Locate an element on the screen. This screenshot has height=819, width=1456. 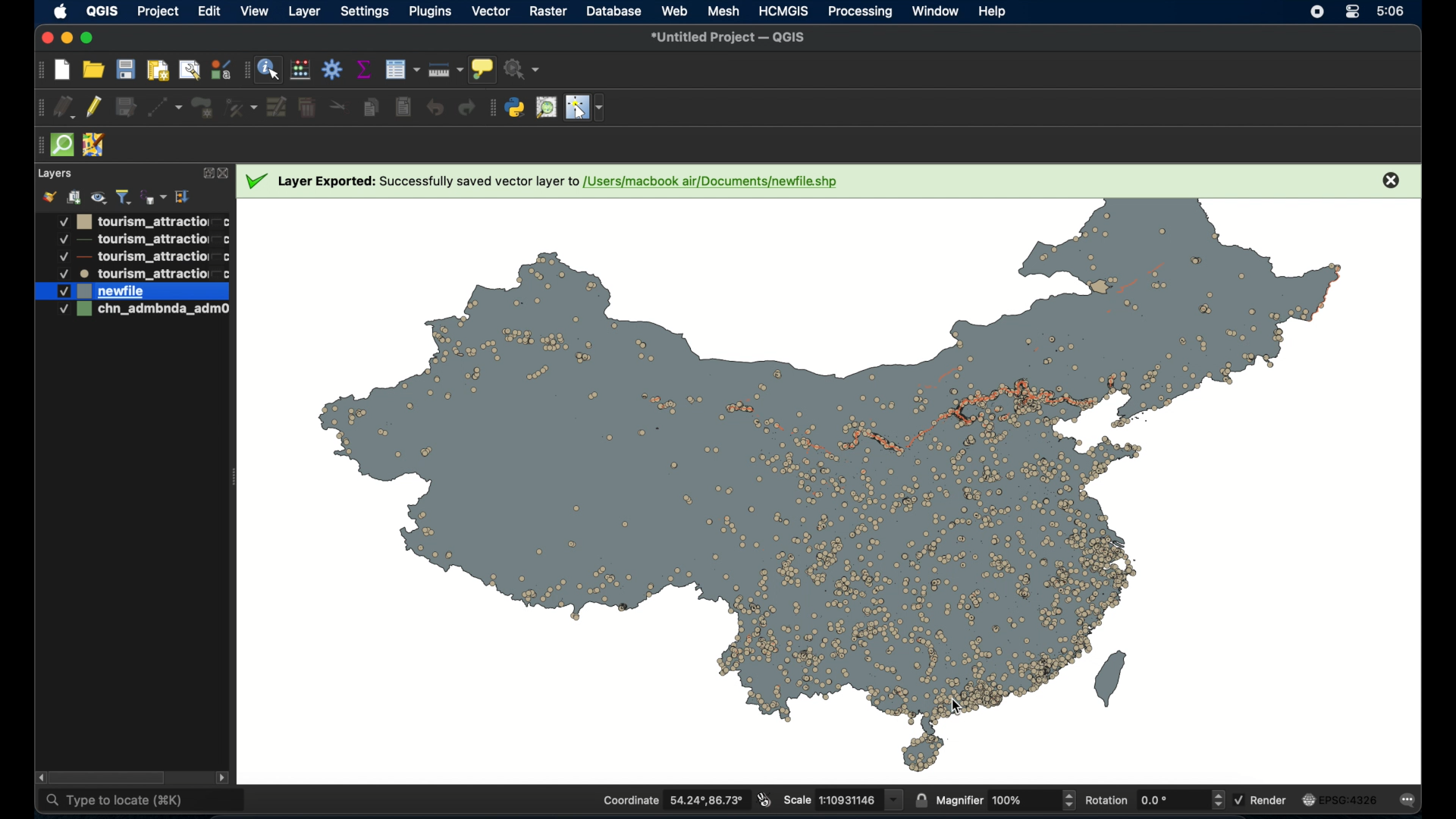
save edits is located at coordinates (127, 107).